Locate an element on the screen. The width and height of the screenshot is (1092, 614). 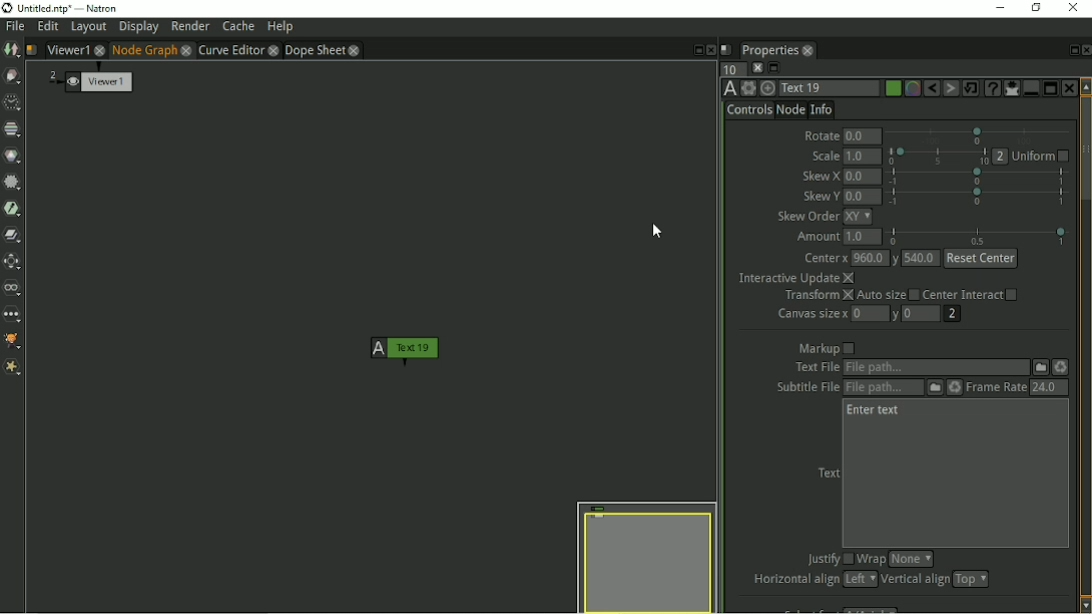
Clear all panels is located at coordinates (756, 68).